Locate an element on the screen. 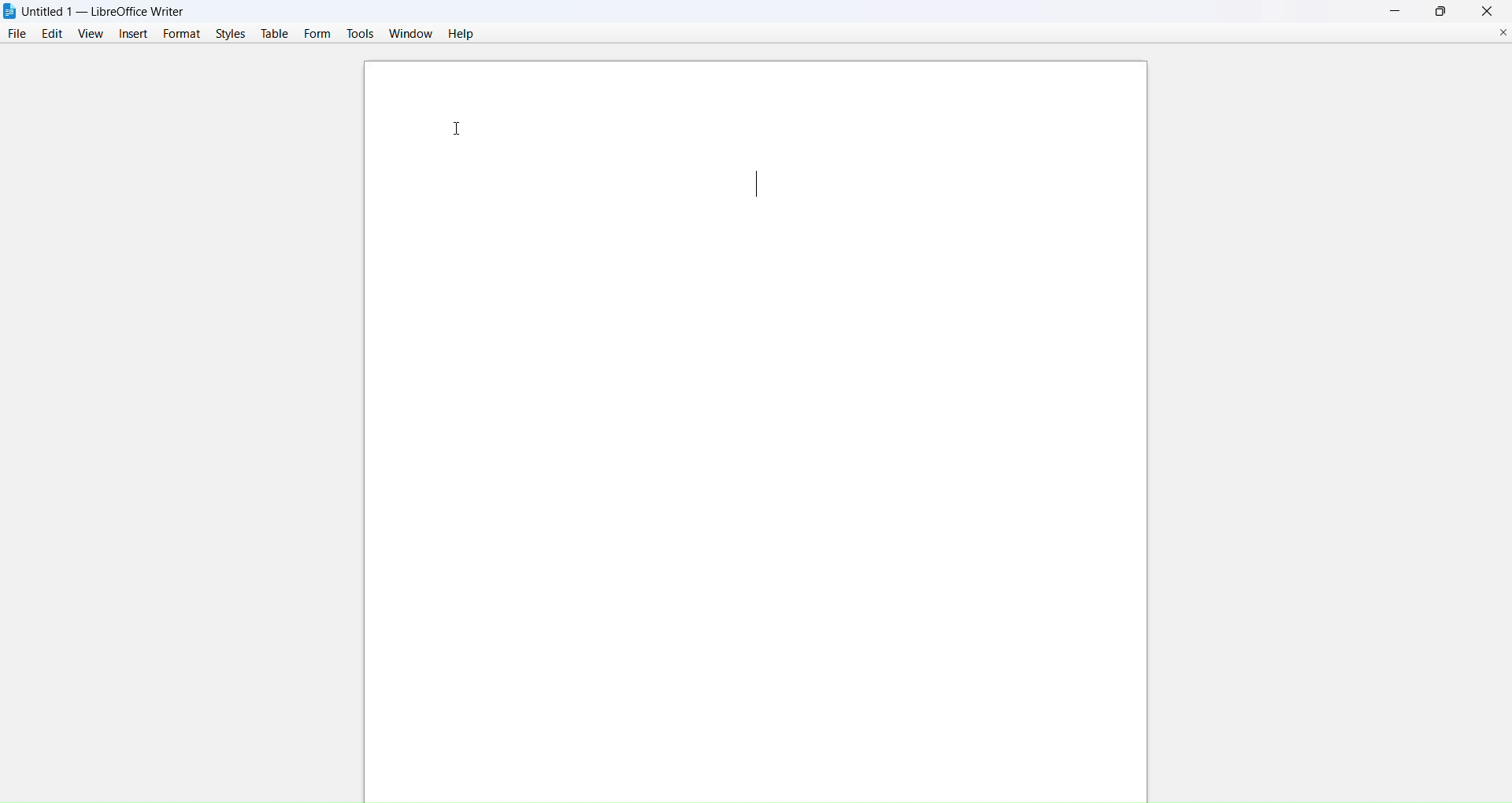 The height and width of the screenshot is (803, 1512). cursor is located at coordinates (458, 129).